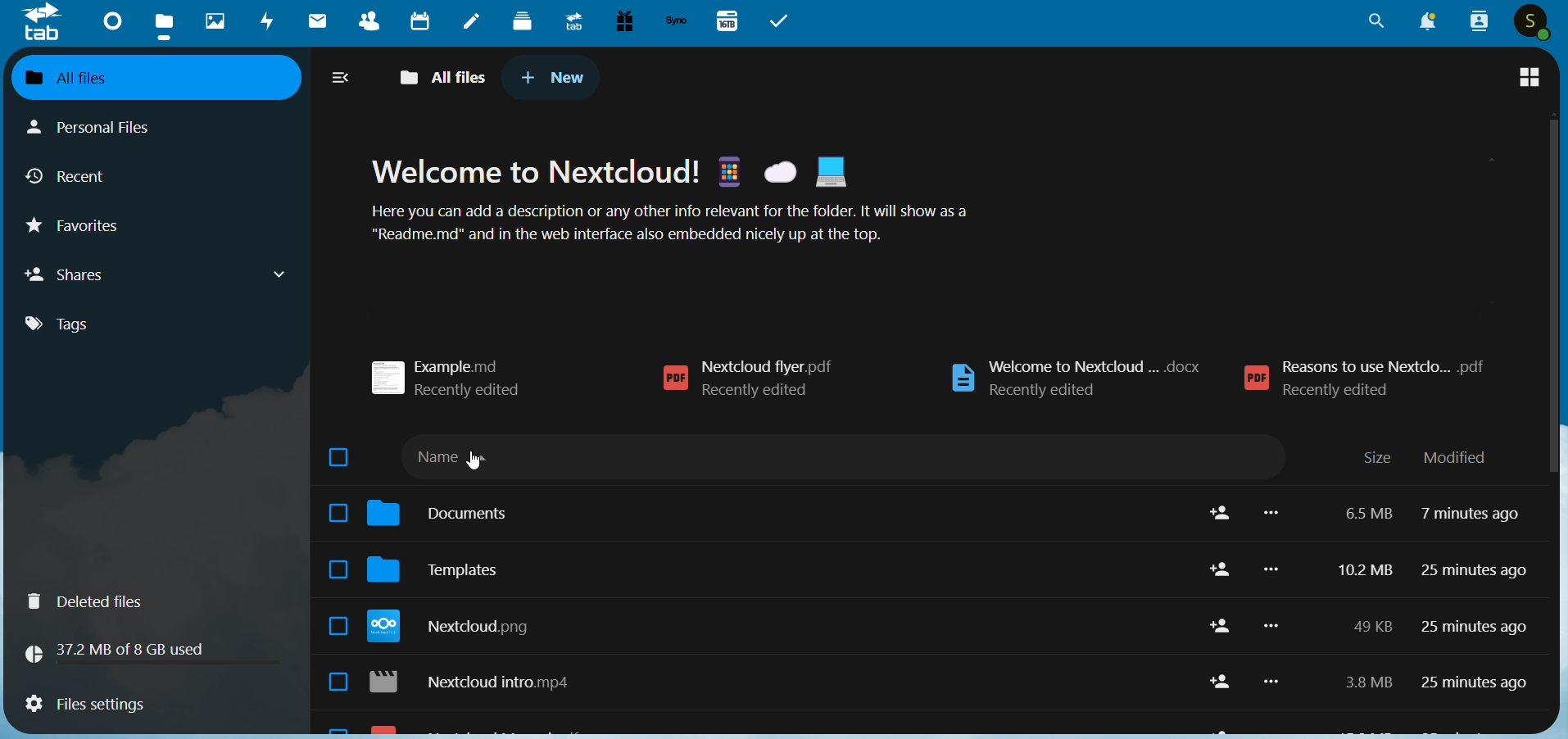 The height and width of the screenshot is (739, 1568). Describe the element at coordinates (165, 20) in the screenshot. I see `Files` at that location.